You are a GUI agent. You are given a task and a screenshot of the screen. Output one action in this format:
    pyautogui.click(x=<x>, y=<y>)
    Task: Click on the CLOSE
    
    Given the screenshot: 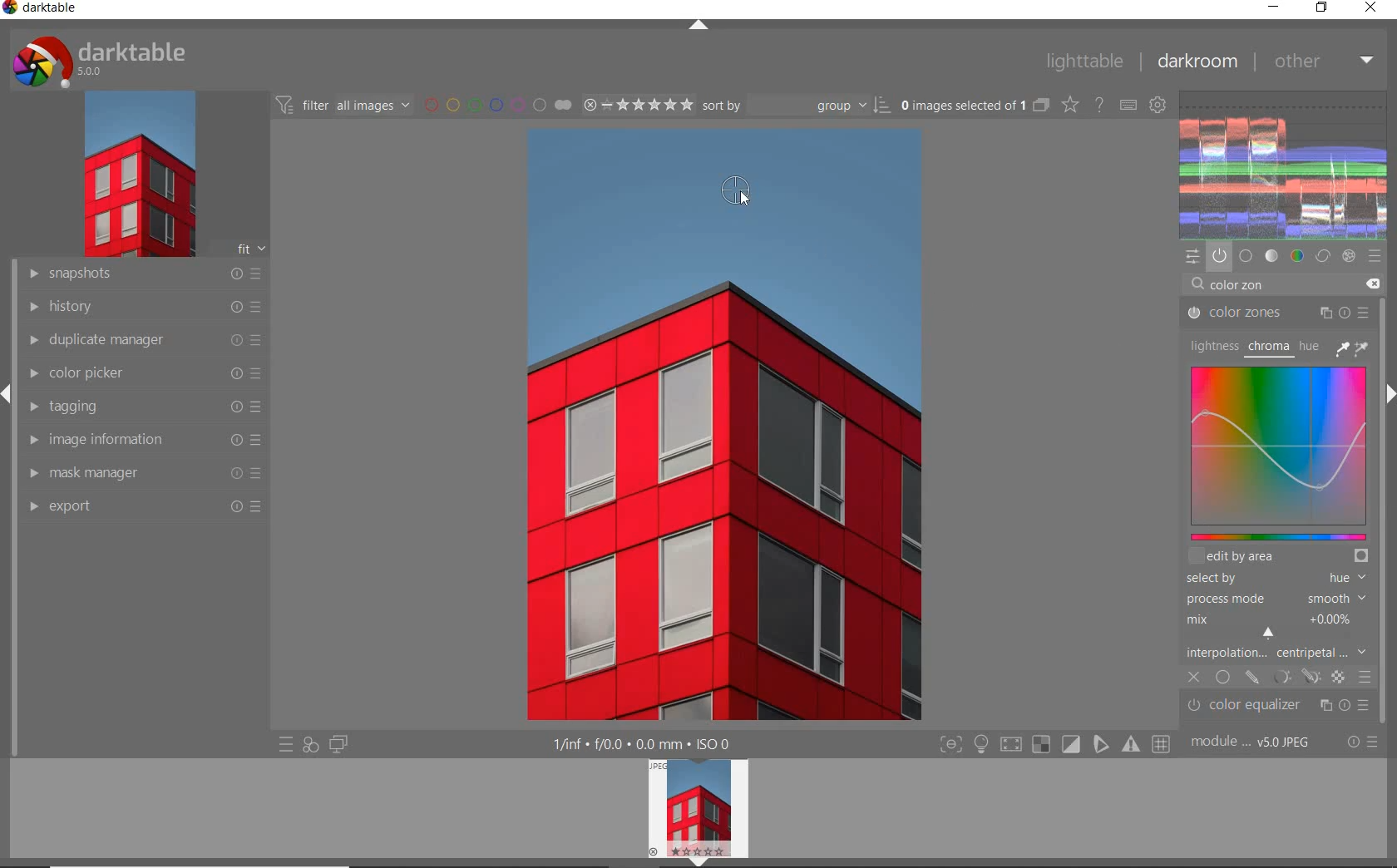 What is the action you would take?
    pyautogui.click(x=1194, y=678)
    